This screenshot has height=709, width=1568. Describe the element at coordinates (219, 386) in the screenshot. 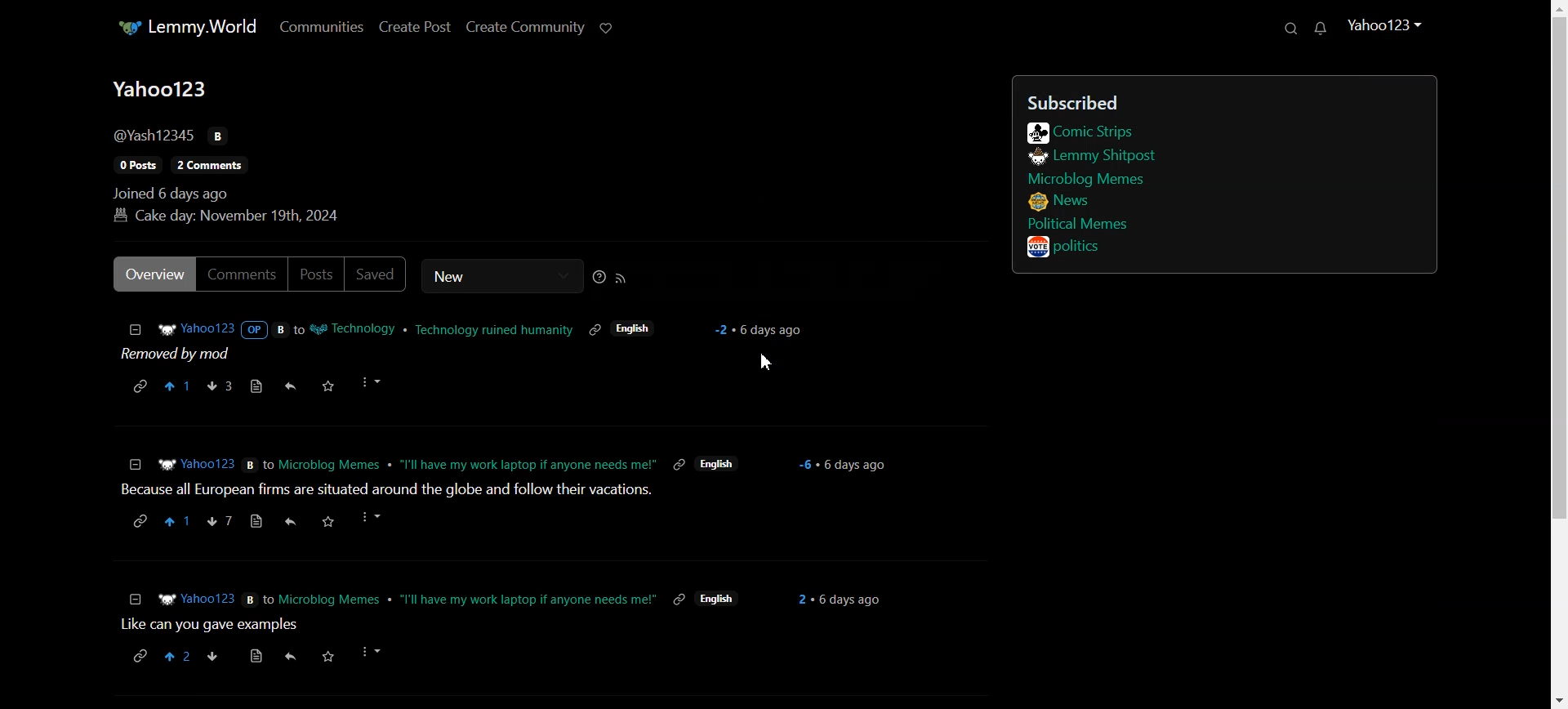

I see `Downvote` at that location.